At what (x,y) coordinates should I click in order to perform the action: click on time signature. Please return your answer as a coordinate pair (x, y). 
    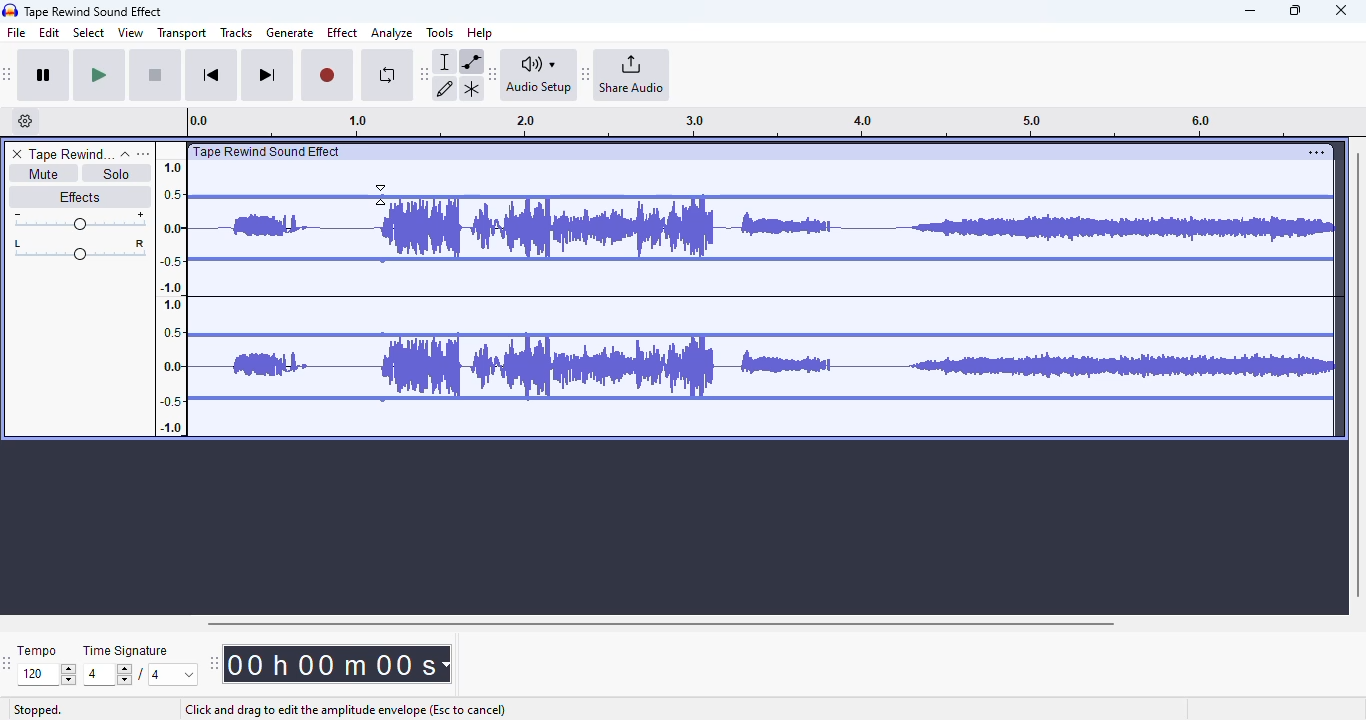
    Looking at the image, I should click on (126, 651).